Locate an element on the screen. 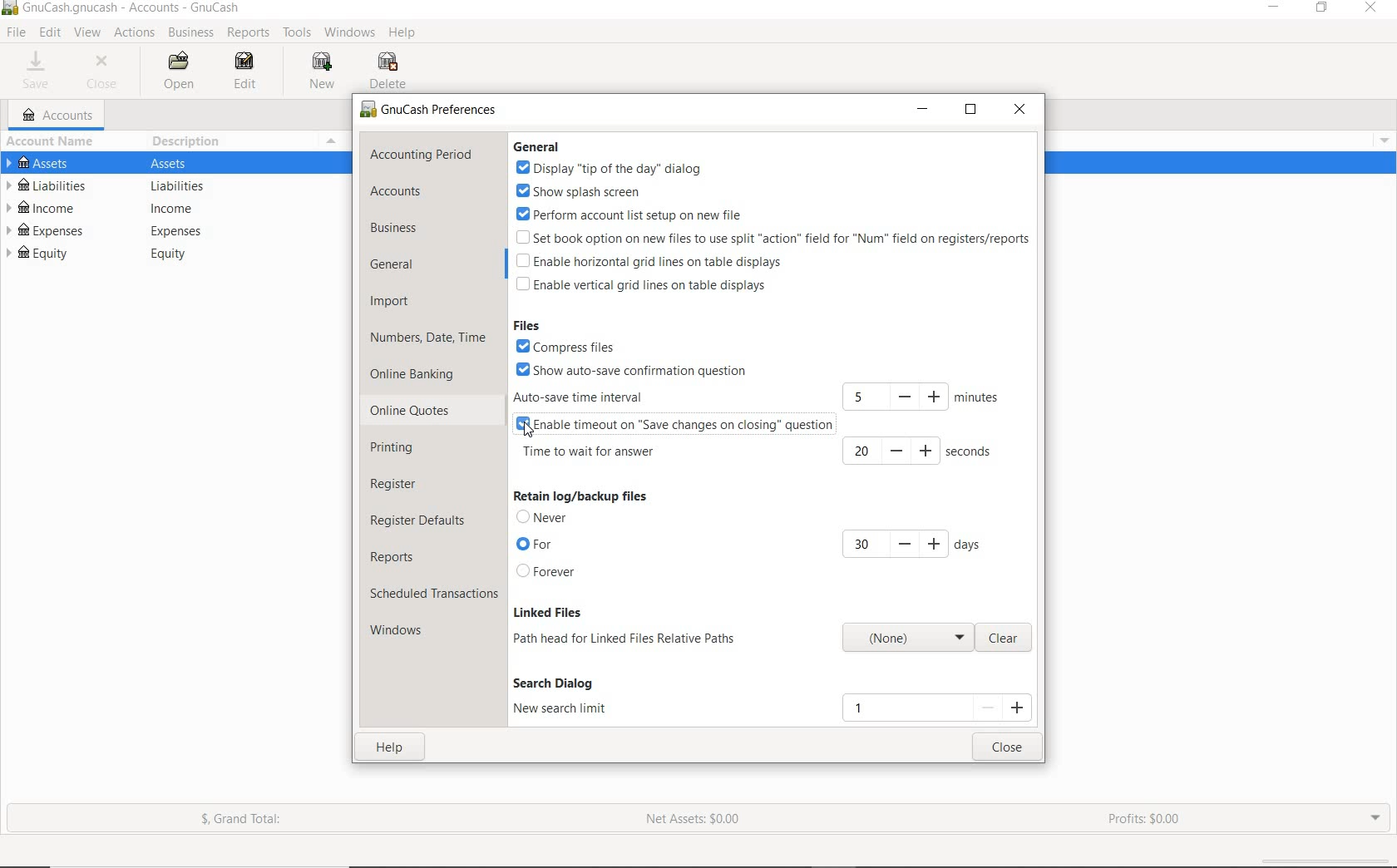 The height and width of the screenshot is (868, 1397). OPEN is located at coordinates (185, 71).